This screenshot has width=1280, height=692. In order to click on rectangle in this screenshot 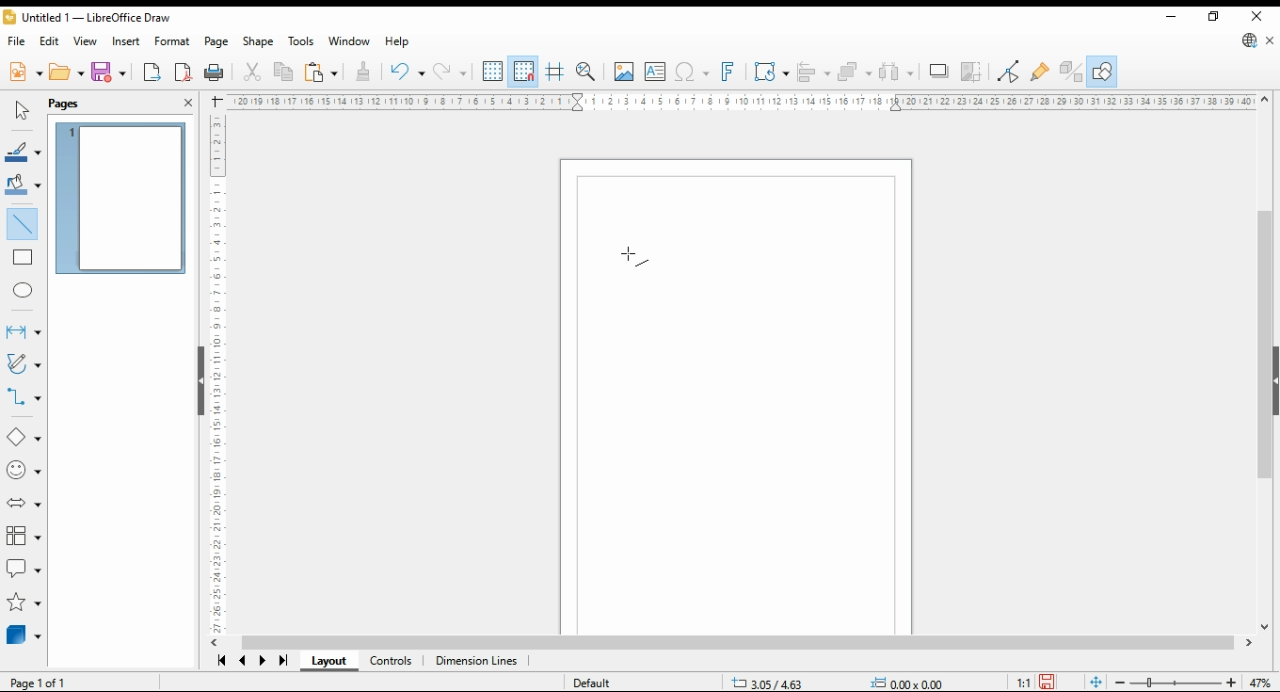, I will do `click(23, 259)`.